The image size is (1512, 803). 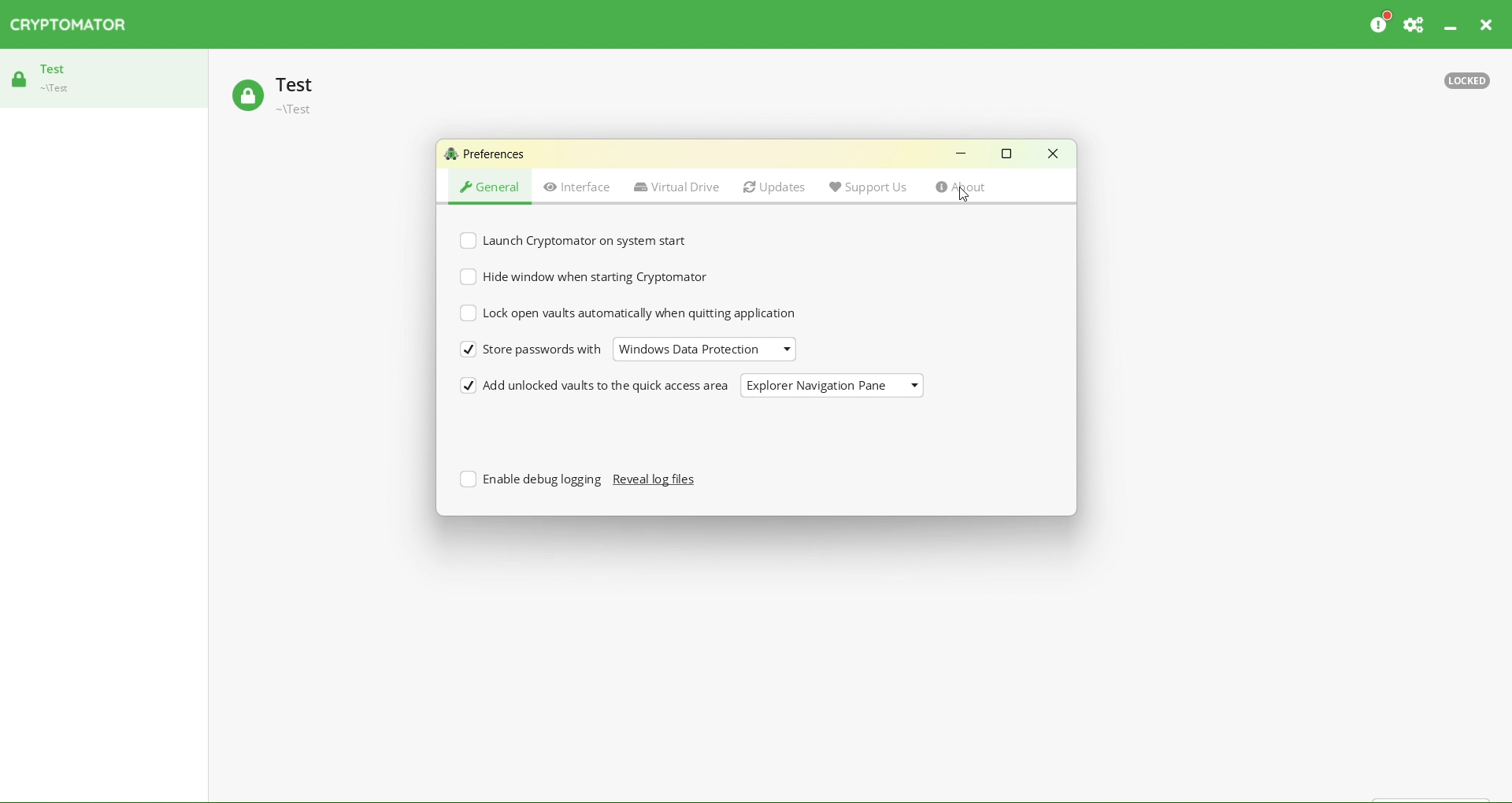 What do you see at coordinates (50, 78) in the screenshot?
I see `Test` at bounding box center [50, 78].